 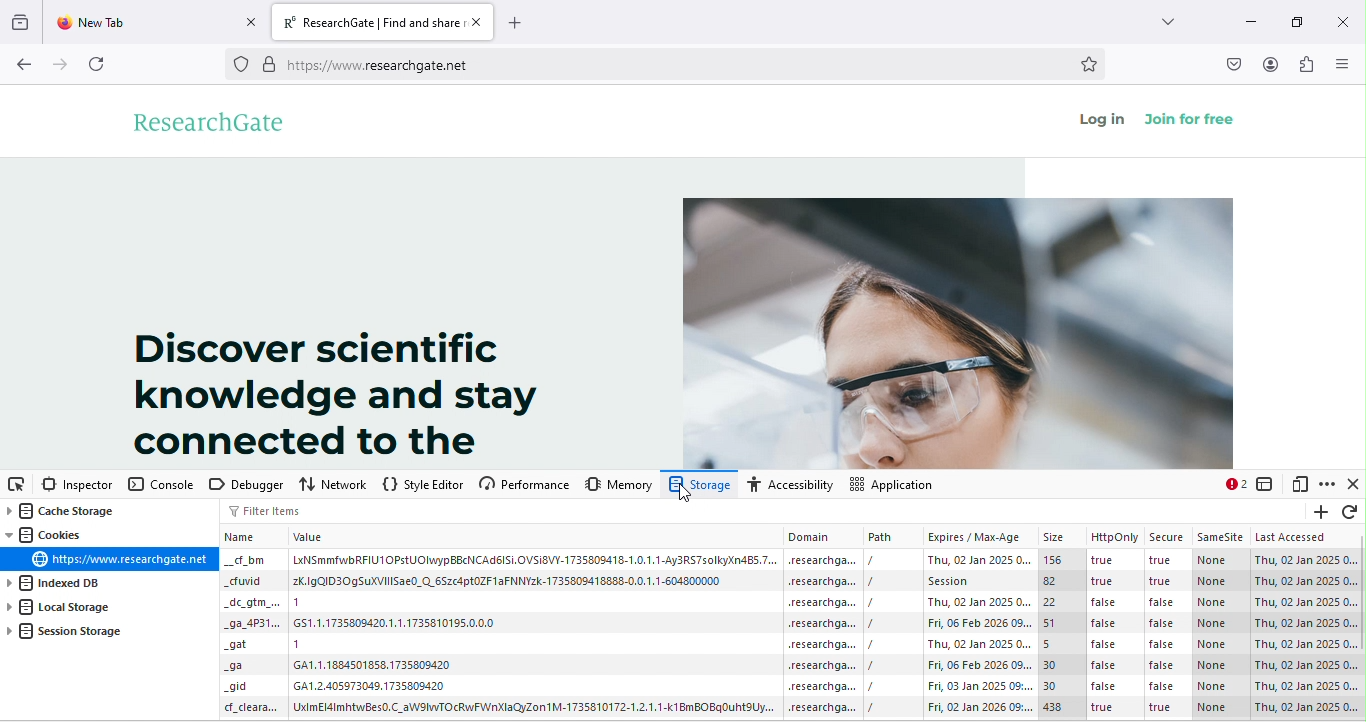 I want to click on cache storage, so click(x=110, y=512).